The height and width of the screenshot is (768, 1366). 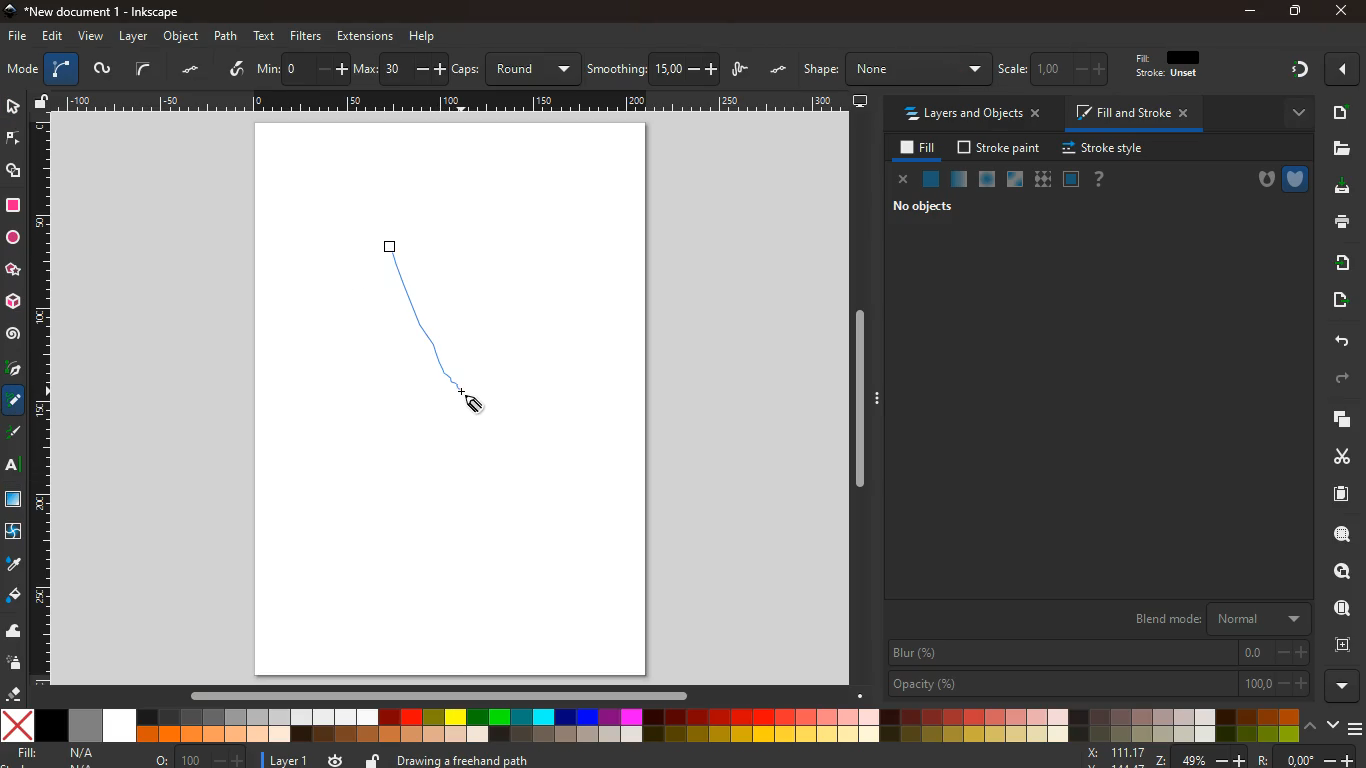 I want to click on diagram, so click(x=1299, y=72).